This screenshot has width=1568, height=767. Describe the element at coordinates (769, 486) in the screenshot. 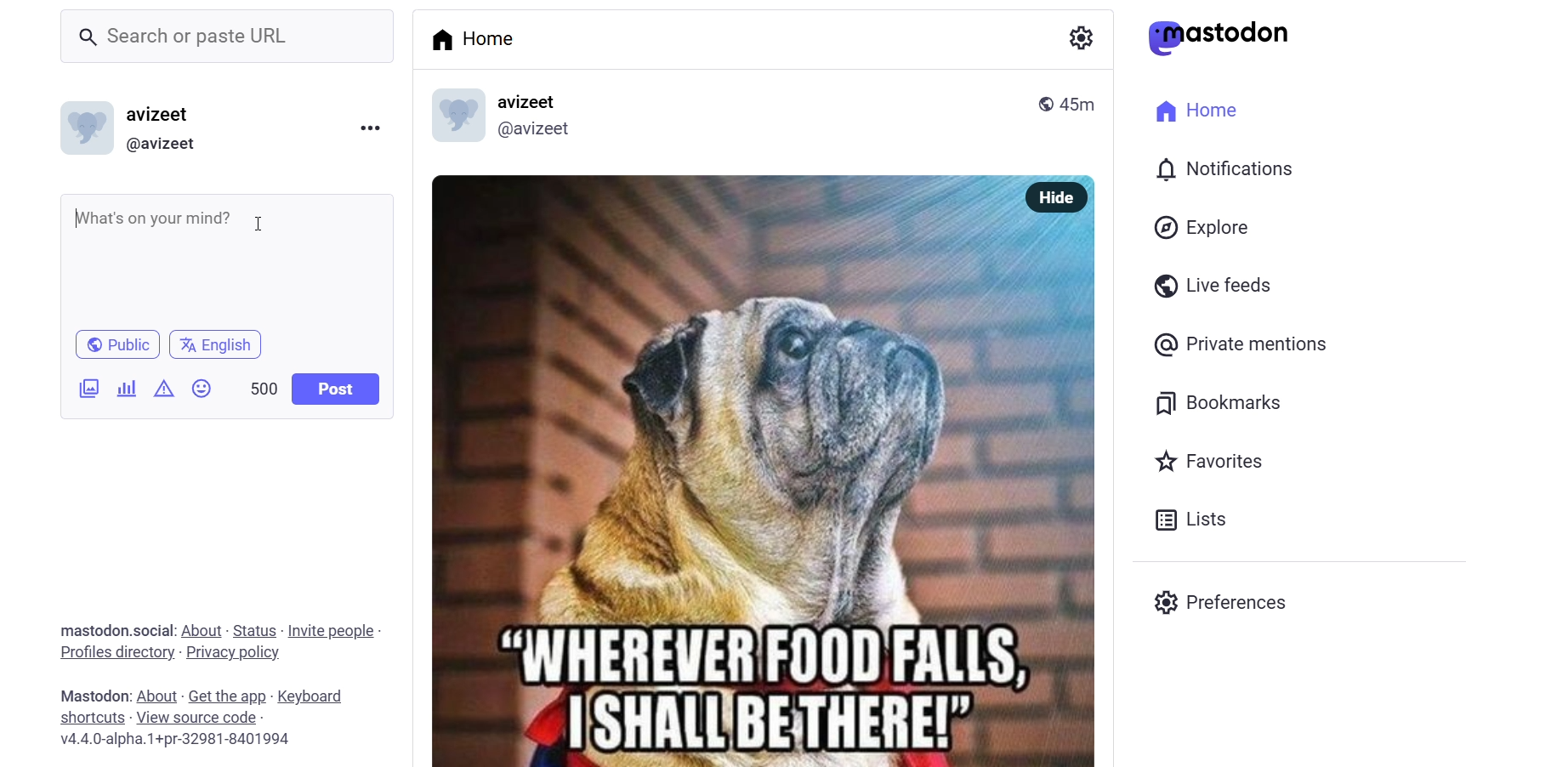

I see `OY
uo L Si -
“WHEREUERFOOD'FALLS,
7 ISHALI'BETHERE!>` at that location.